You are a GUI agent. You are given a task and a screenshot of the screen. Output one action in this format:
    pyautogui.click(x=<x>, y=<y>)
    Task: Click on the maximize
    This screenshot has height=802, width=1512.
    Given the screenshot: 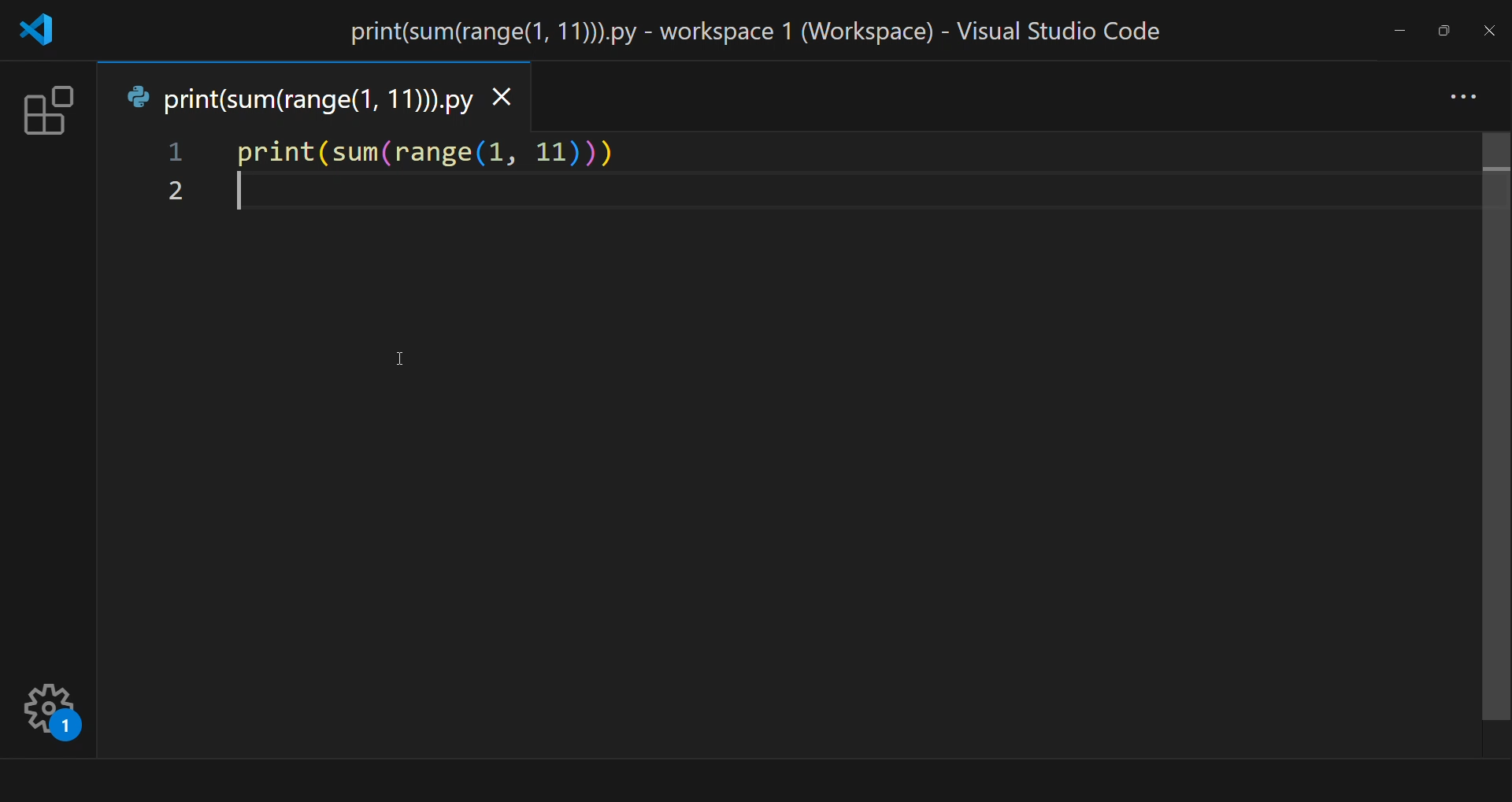 What is the action you would take?
    pyautogui.click(x=1443, y=28)
    